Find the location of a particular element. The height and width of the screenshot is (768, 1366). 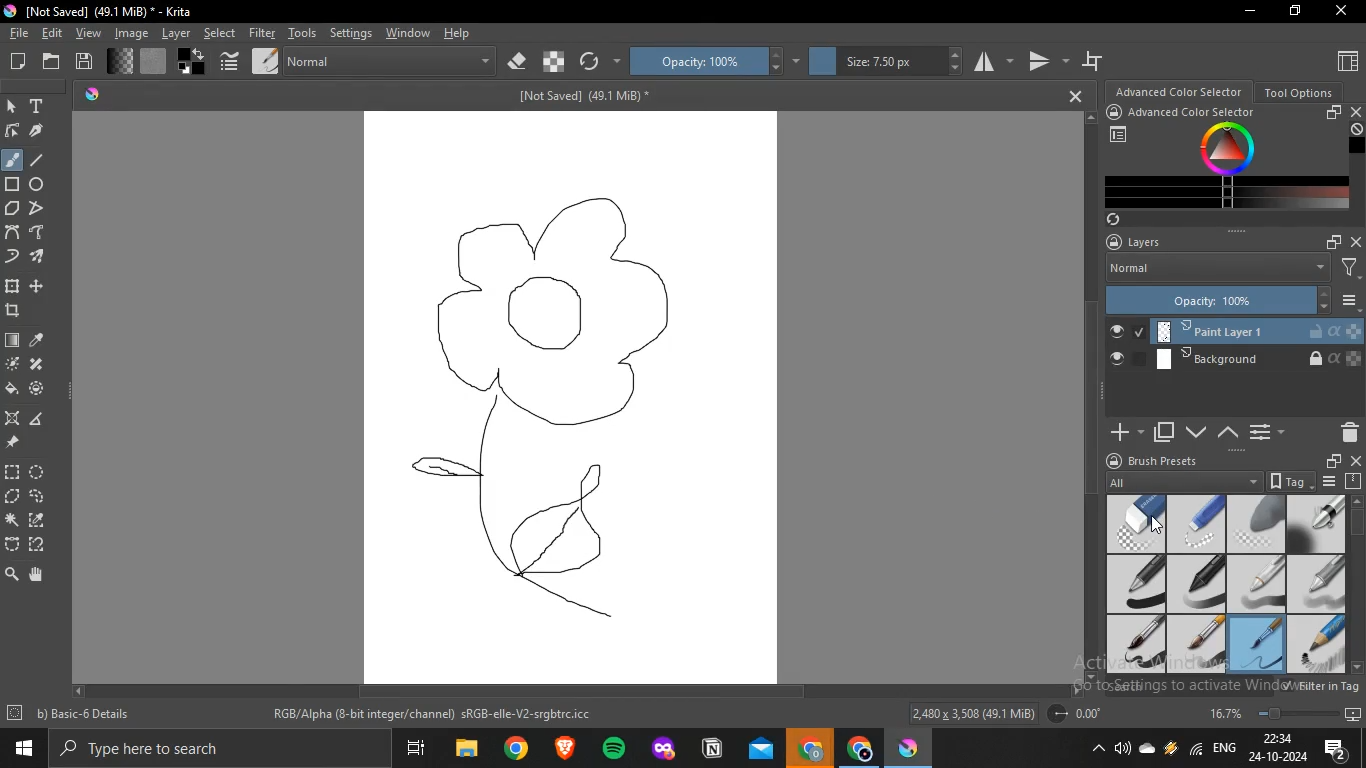

Paint layer is located at coordinates (1235, 328).